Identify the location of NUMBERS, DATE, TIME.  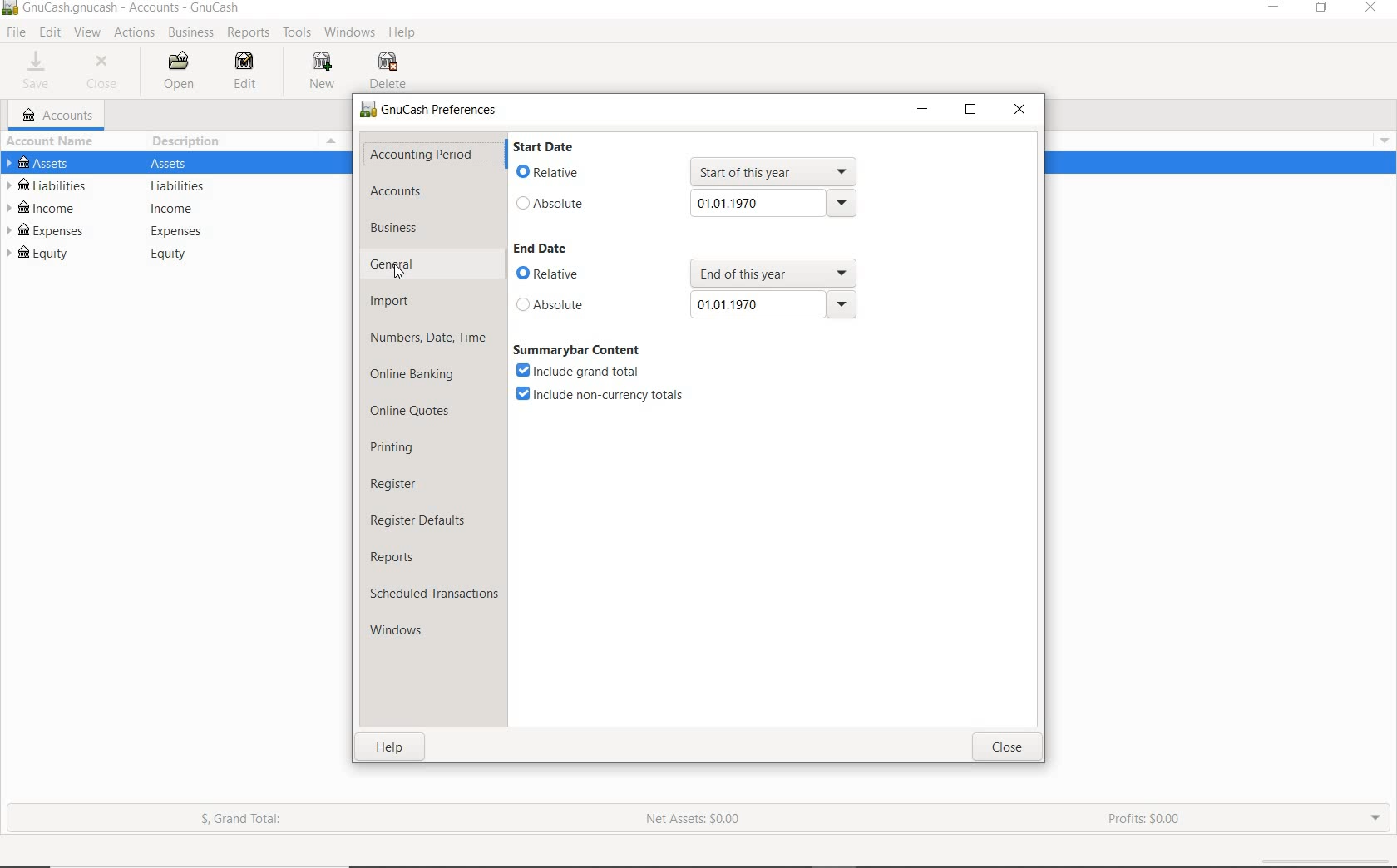
(430, 339).